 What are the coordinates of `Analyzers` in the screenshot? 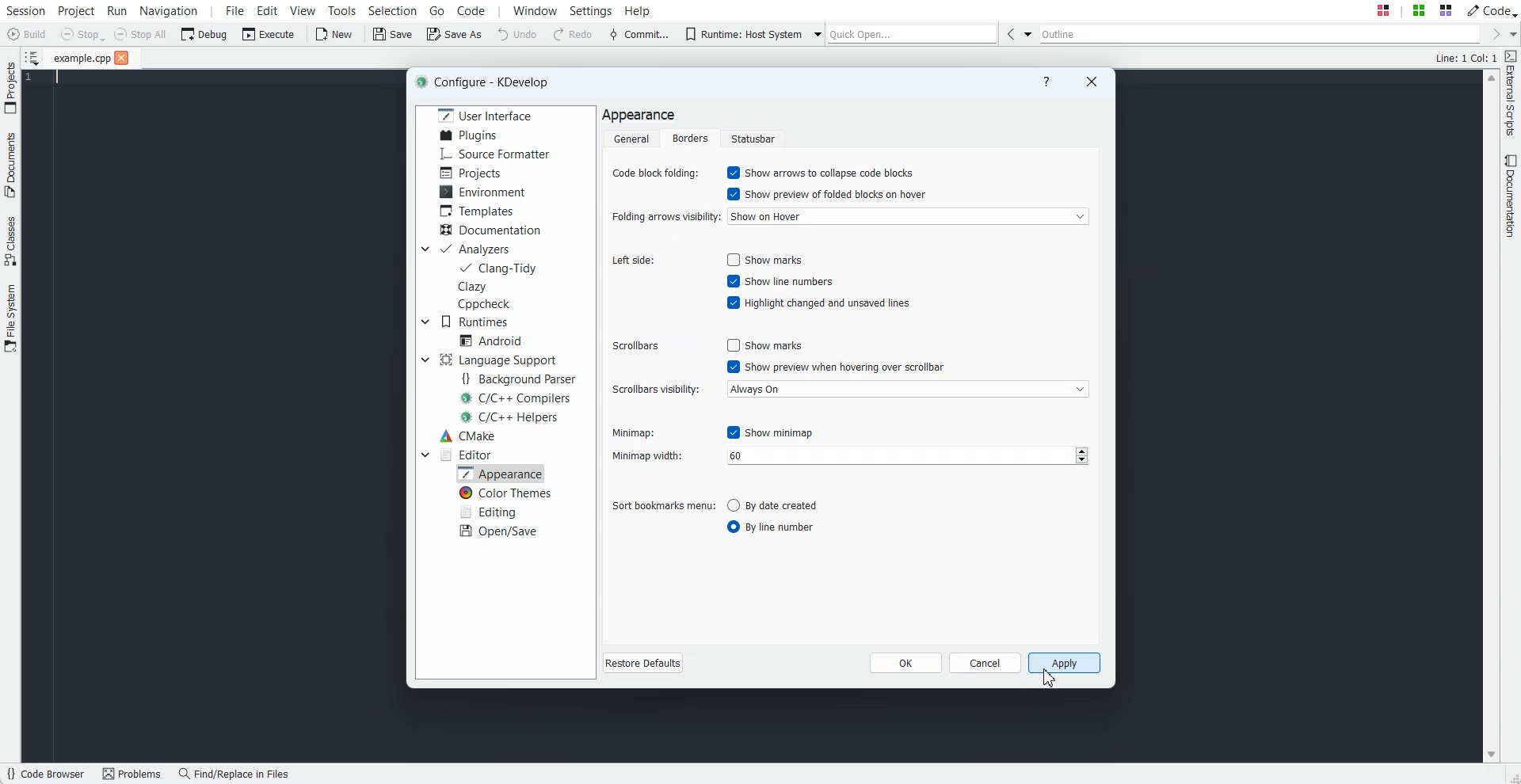 It's located at (475, 249).